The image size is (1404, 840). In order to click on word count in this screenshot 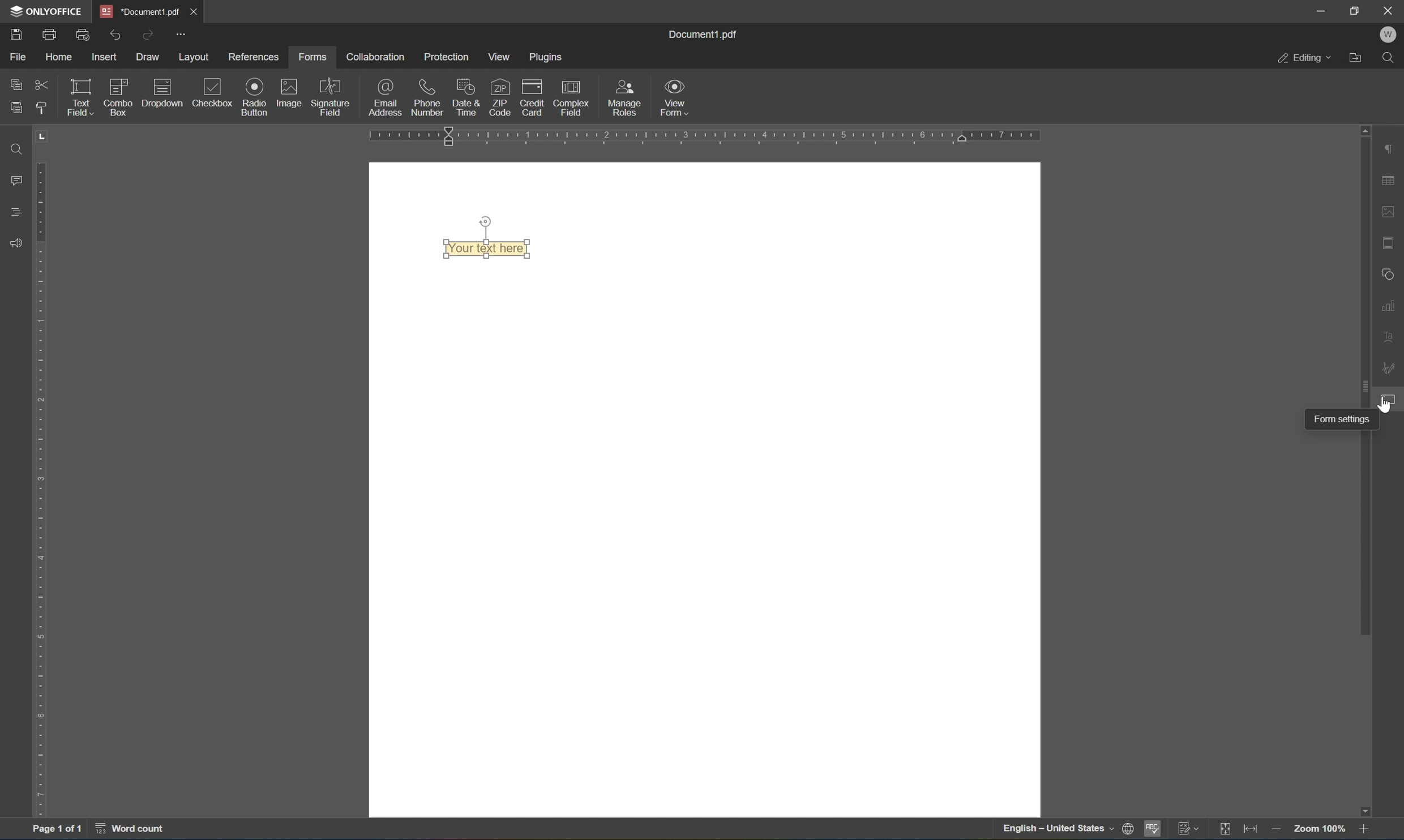, I will do `click(134, 830)`.